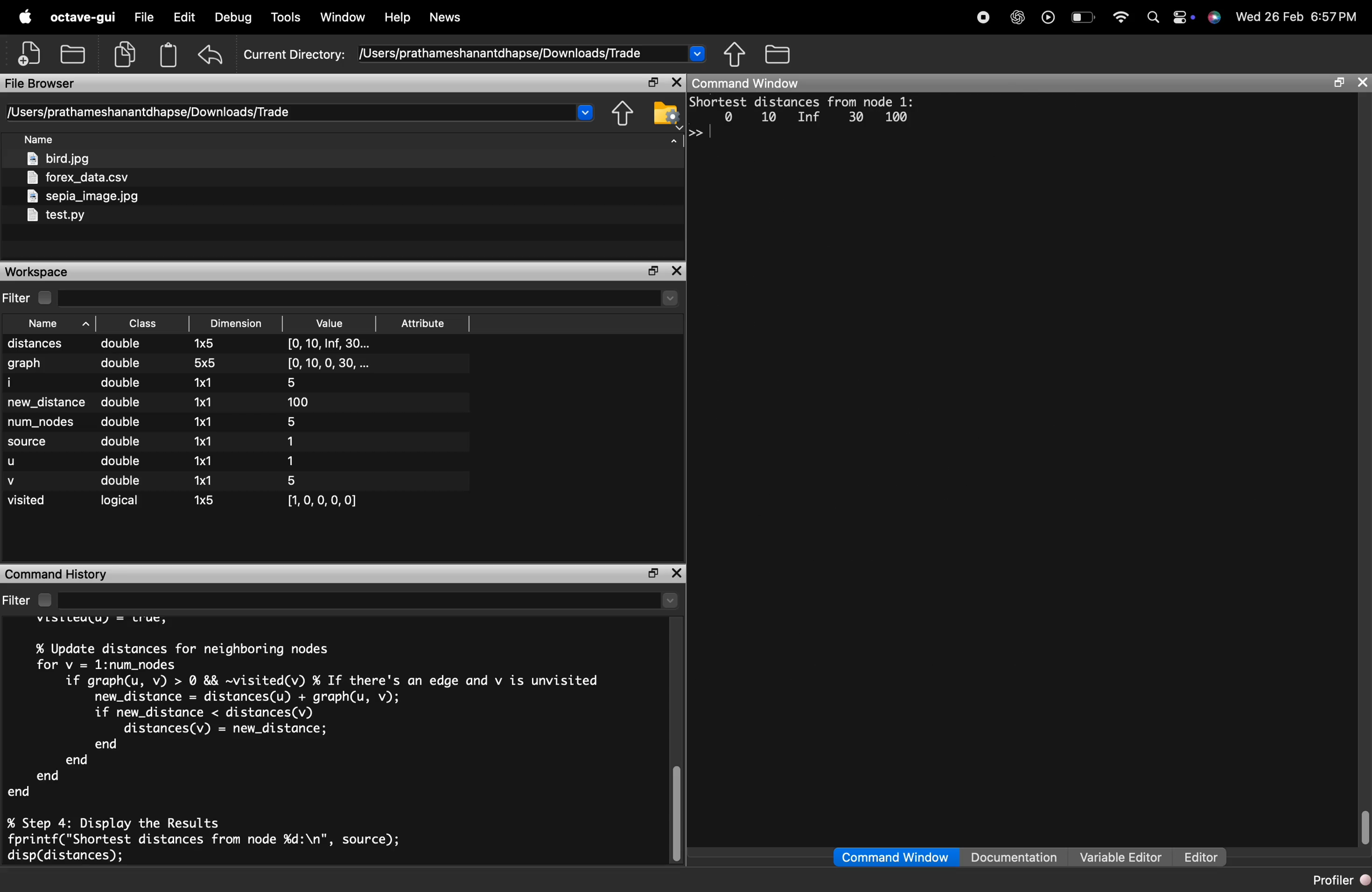  What do you see at coordinates (666, 117) in the screenshot?
I see `browser your file` at bounding box center [666, 117].